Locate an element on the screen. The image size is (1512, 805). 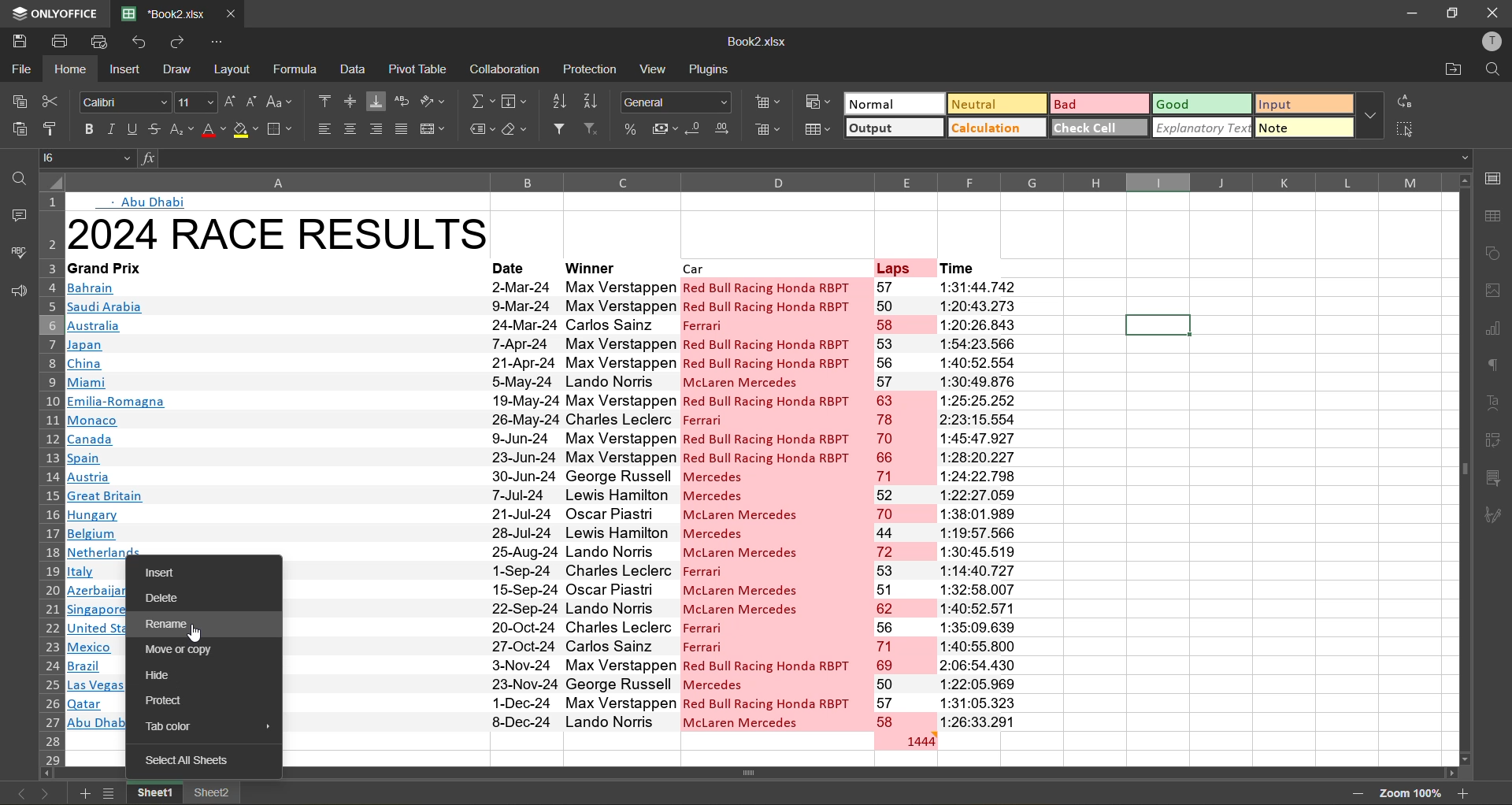
bold is located at coordinates (85, 129).